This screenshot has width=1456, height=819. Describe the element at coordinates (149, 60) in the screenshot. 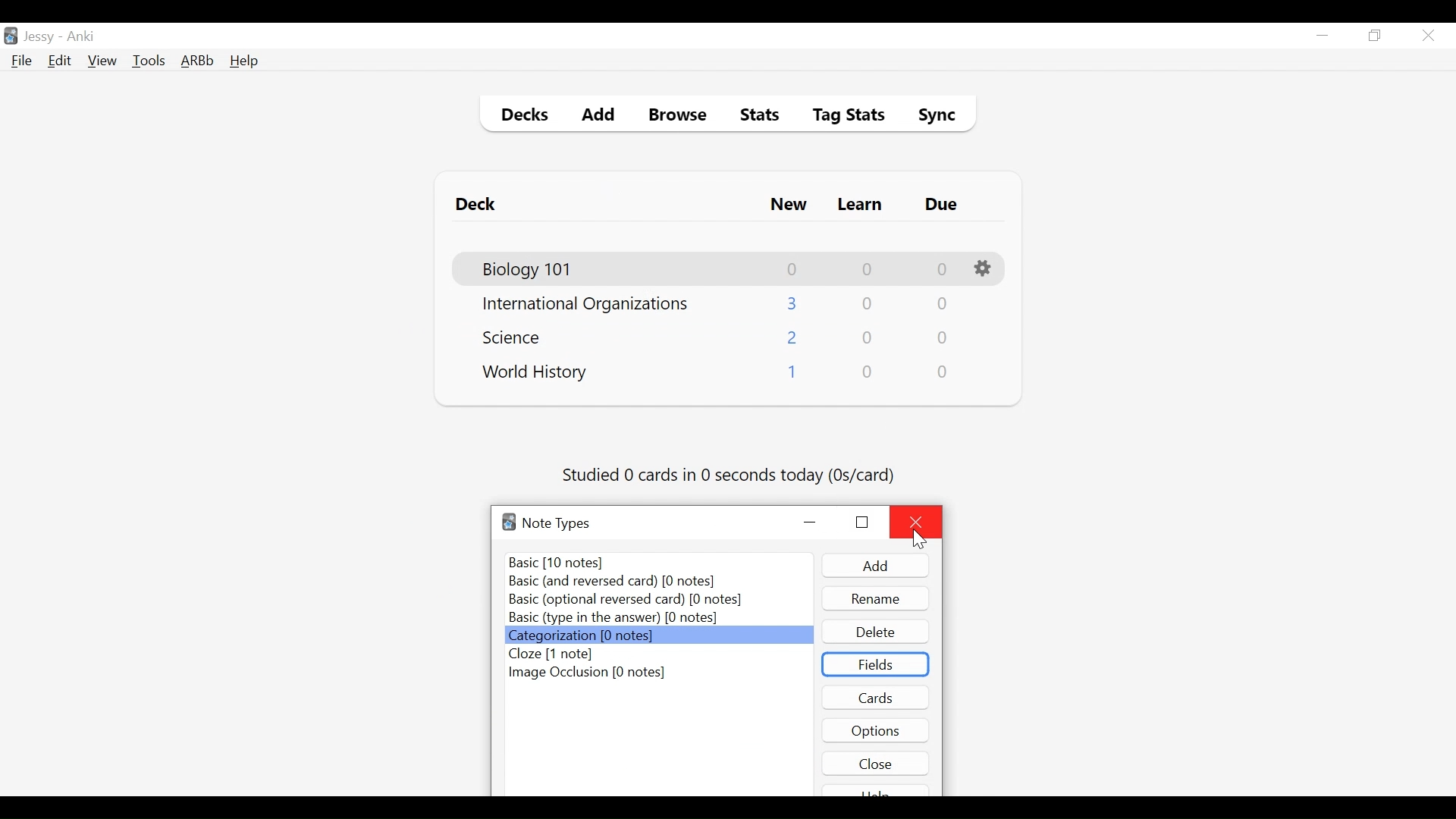

I see `Tools` at that location.